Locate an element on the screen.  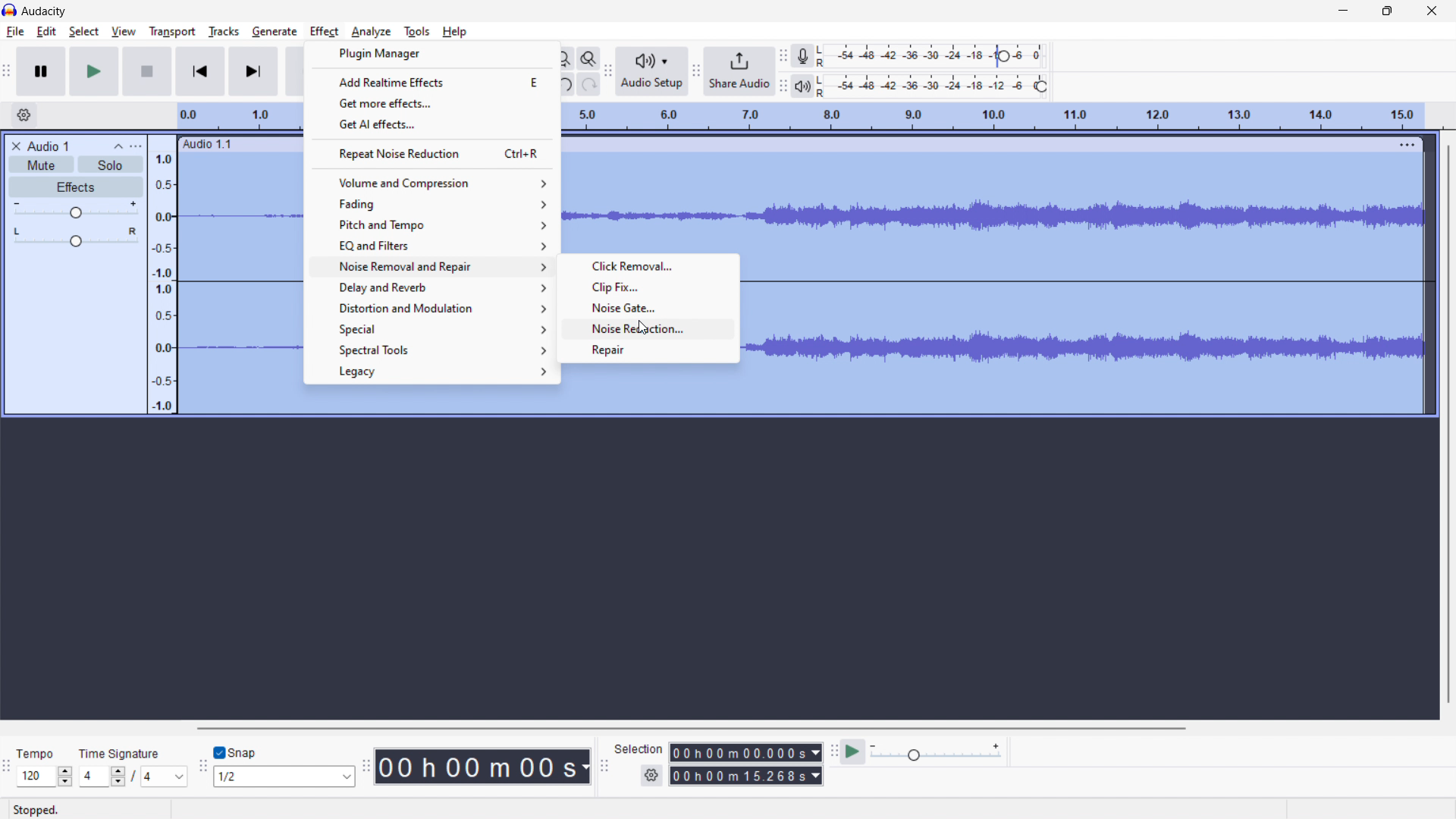
end time is located at coordinates (745, 775).